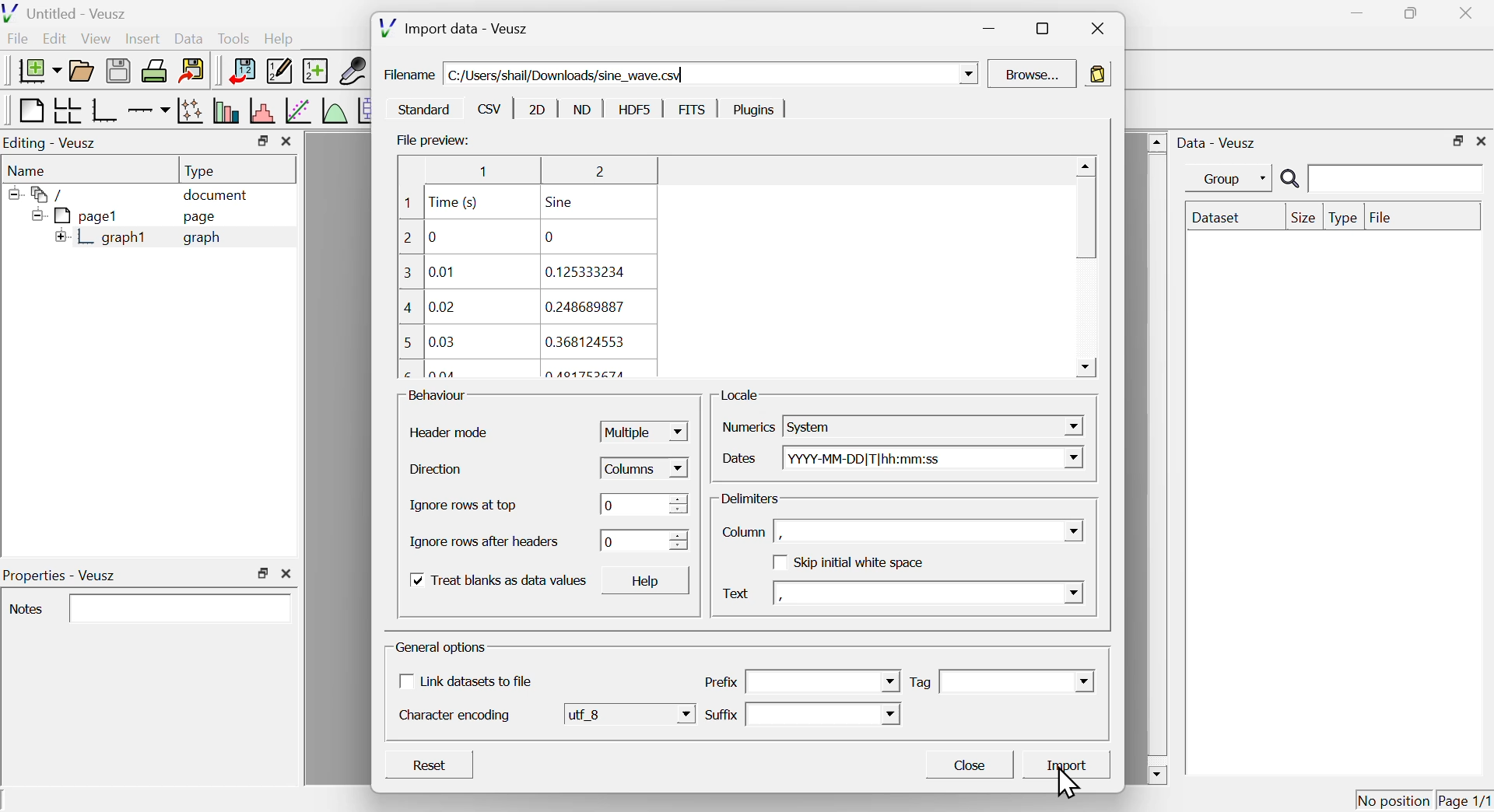  I want to click on text box, so click(825, 713).